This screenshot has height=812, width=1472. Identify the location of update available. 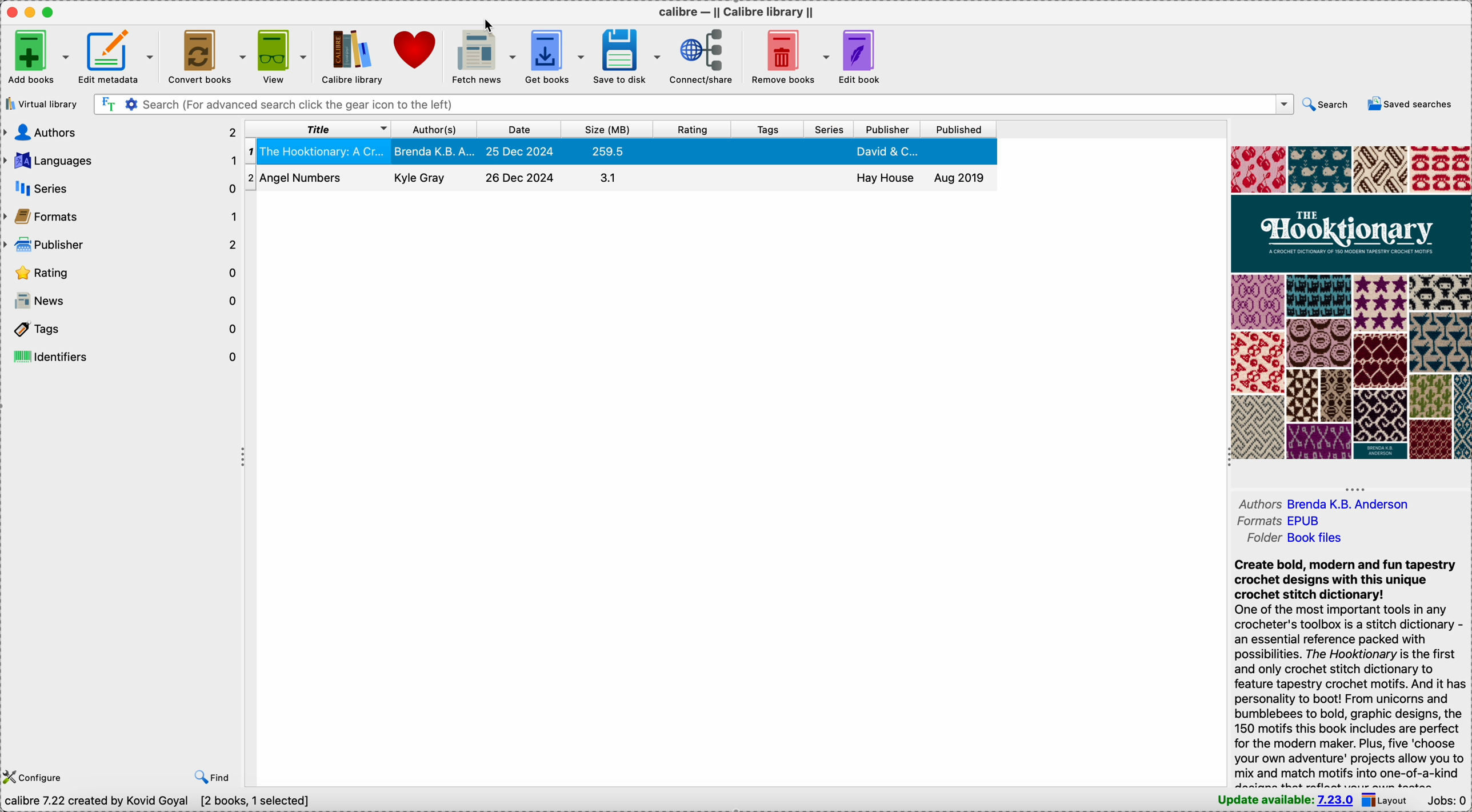
(1286, 801).